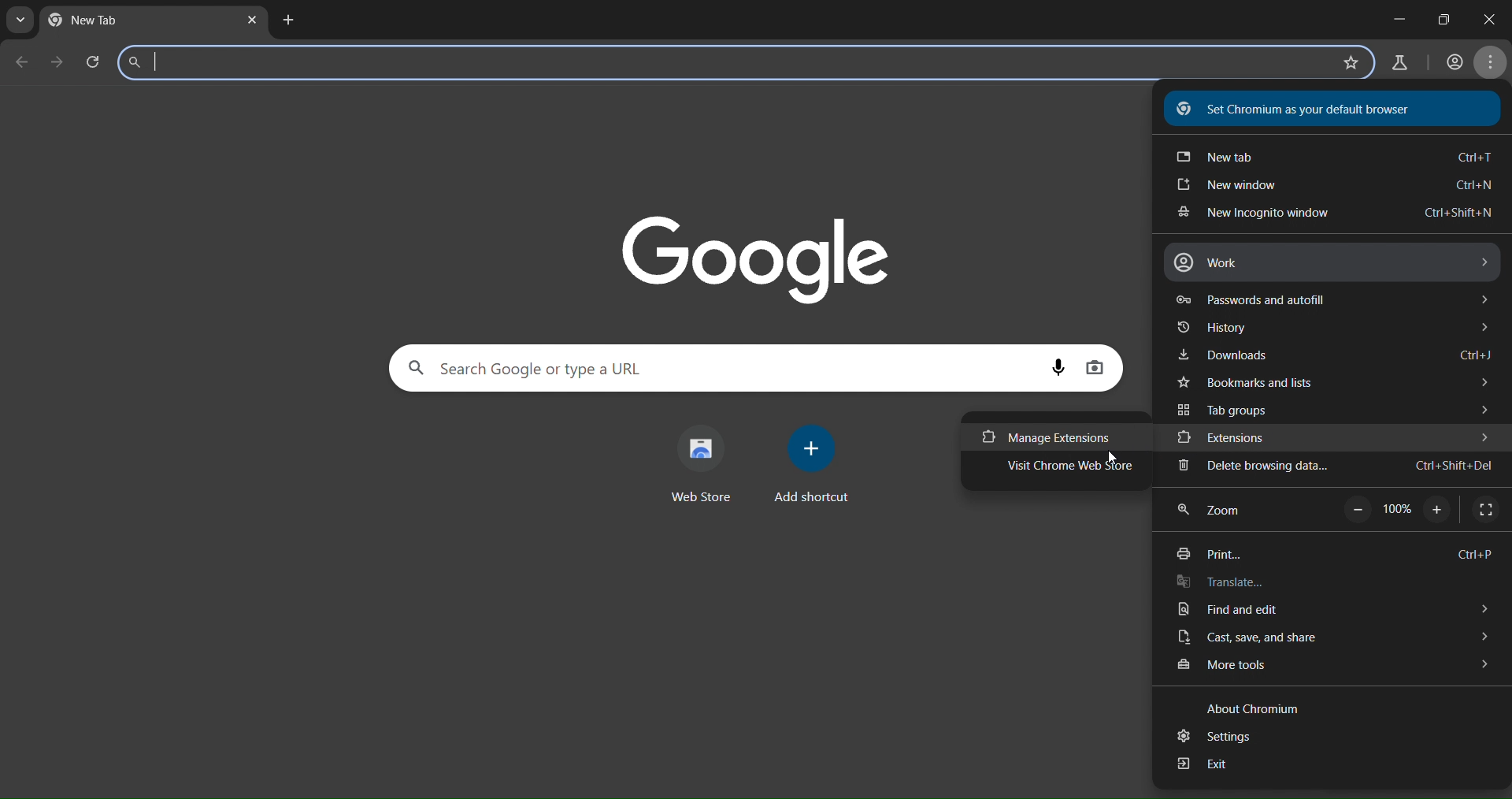  What do you see at coordinates (1433, 511) in the screenshot?
I see `zoom in` at bounding box center [1433, 511].